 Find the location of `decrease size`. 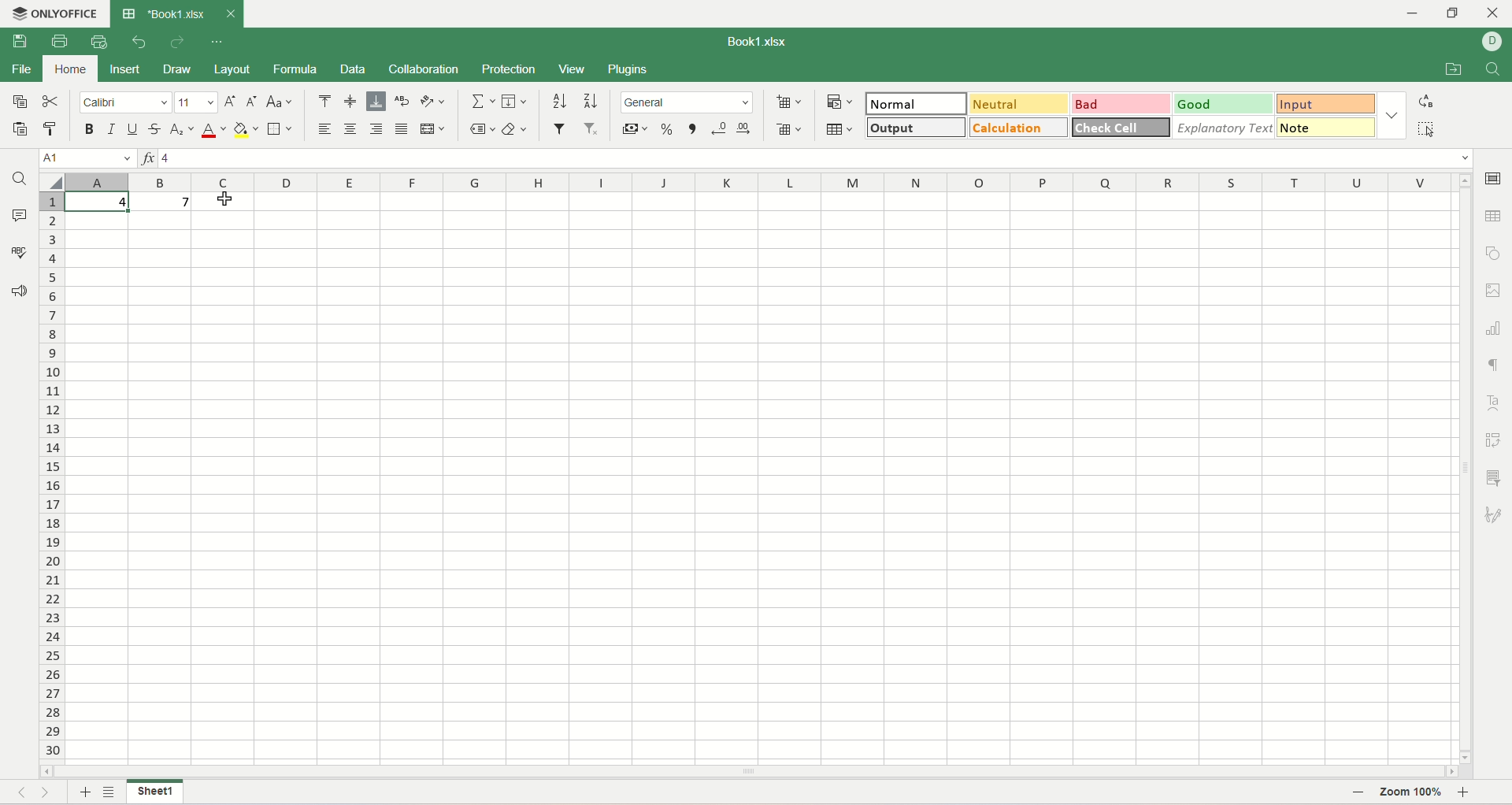

decrease size is located at coordinates (252, 101).